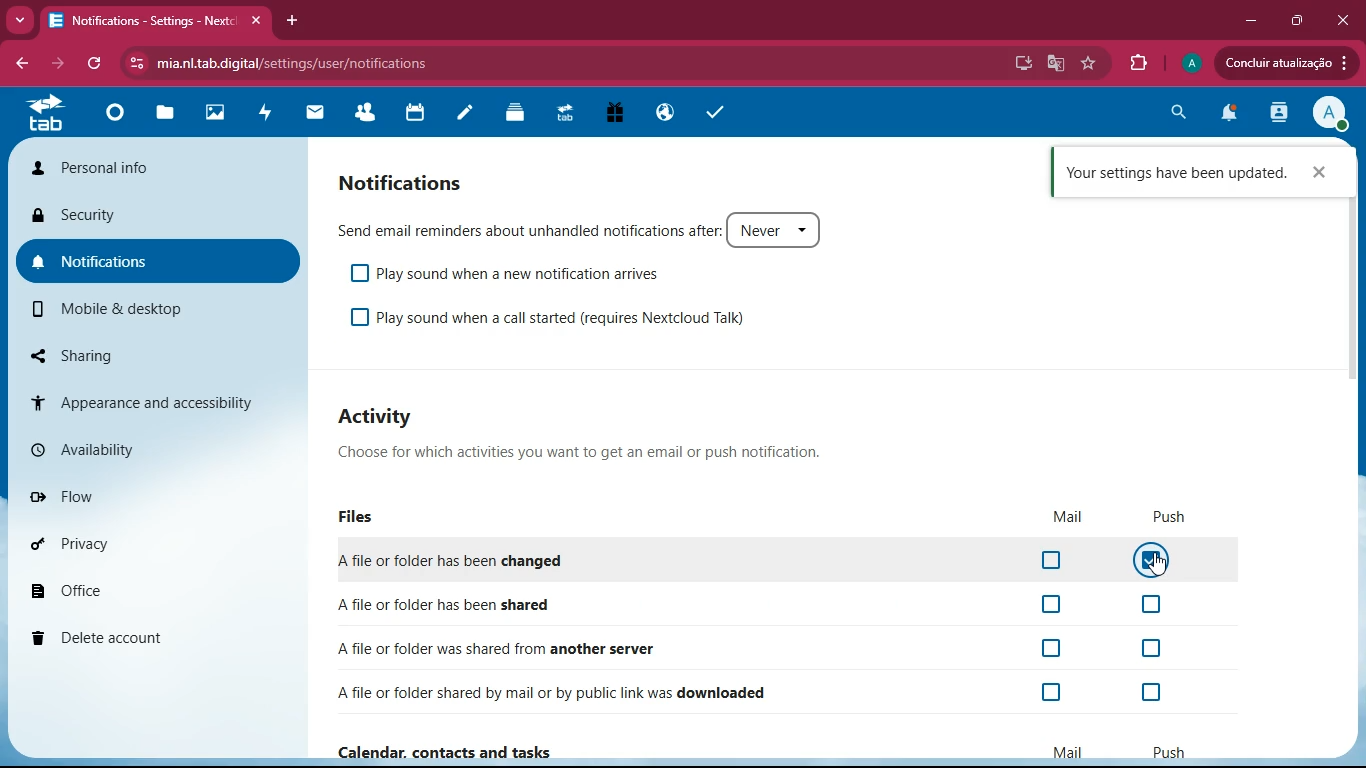 This screenshot has height=768, width=1366. What do you see at coordinates (149, 218) in the screenshot?
I see `security` at bounding box center [149, 218].